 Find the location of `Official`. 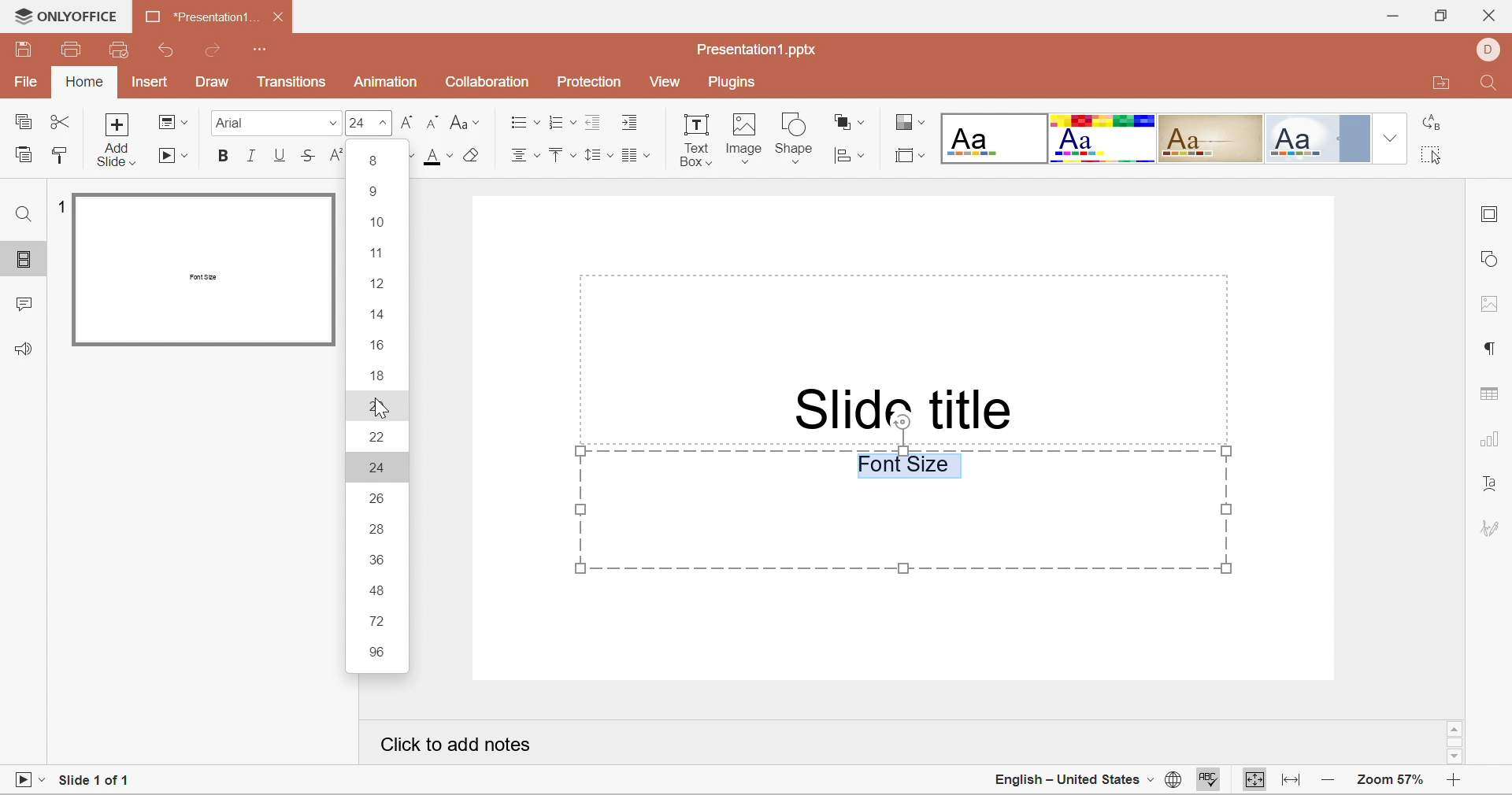

Official is located at coordinates (1320, 138).